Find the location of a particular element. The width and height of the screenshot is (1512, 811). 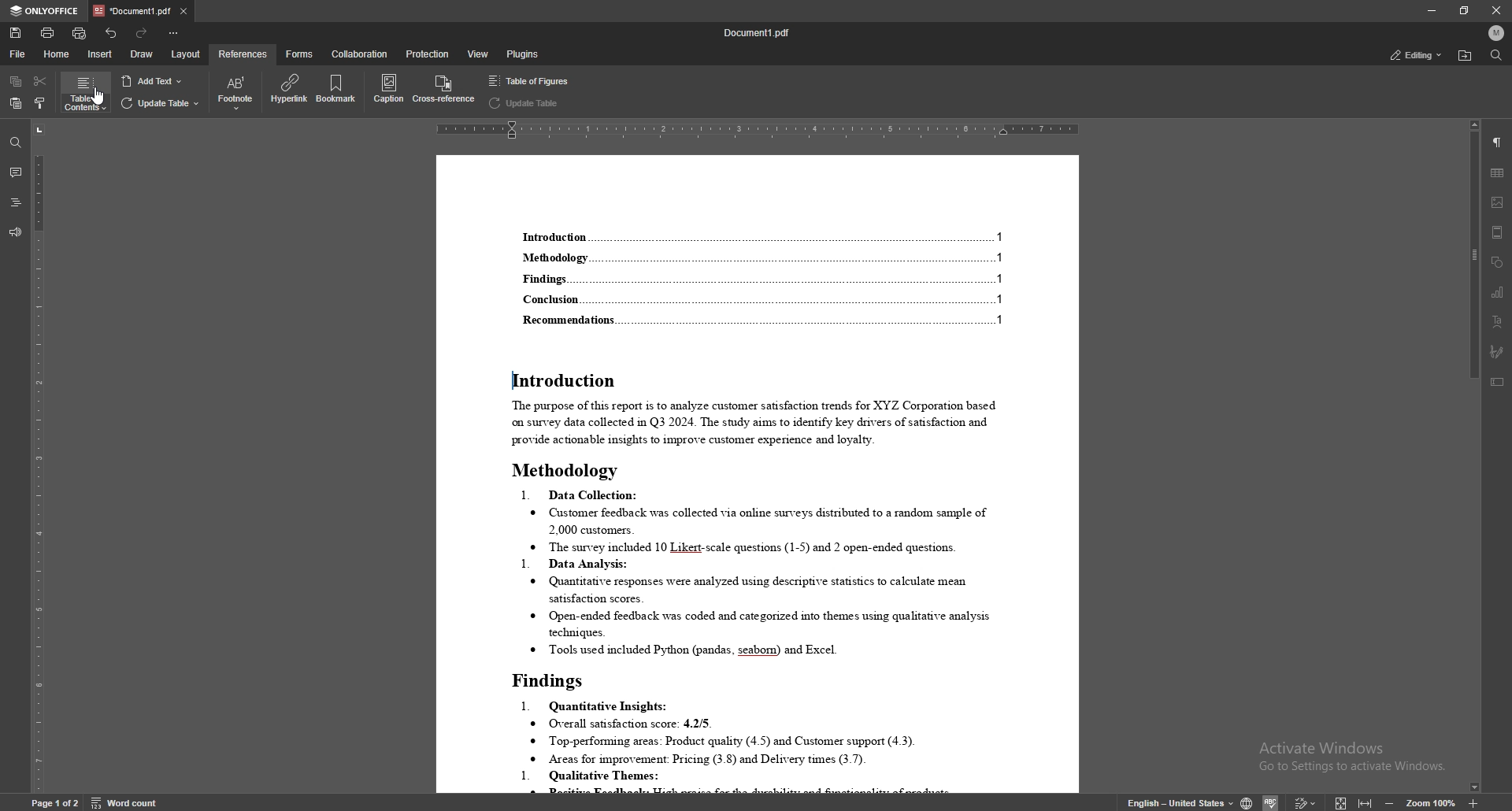

signature field is located at coordinates (1497, 352).